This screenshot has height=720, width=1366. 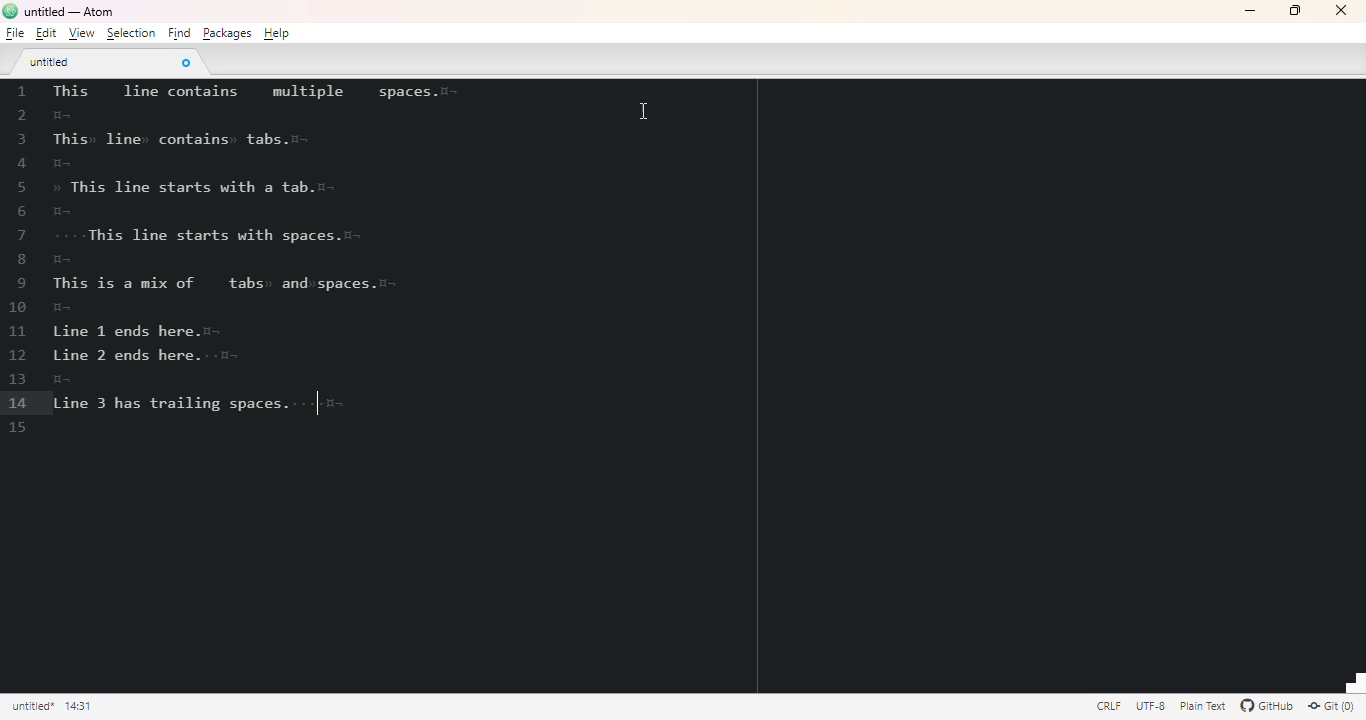 What do you see at coordinates (326, 188) in the screenshot?
I see `invisible character` at bounding box center [326, 188].